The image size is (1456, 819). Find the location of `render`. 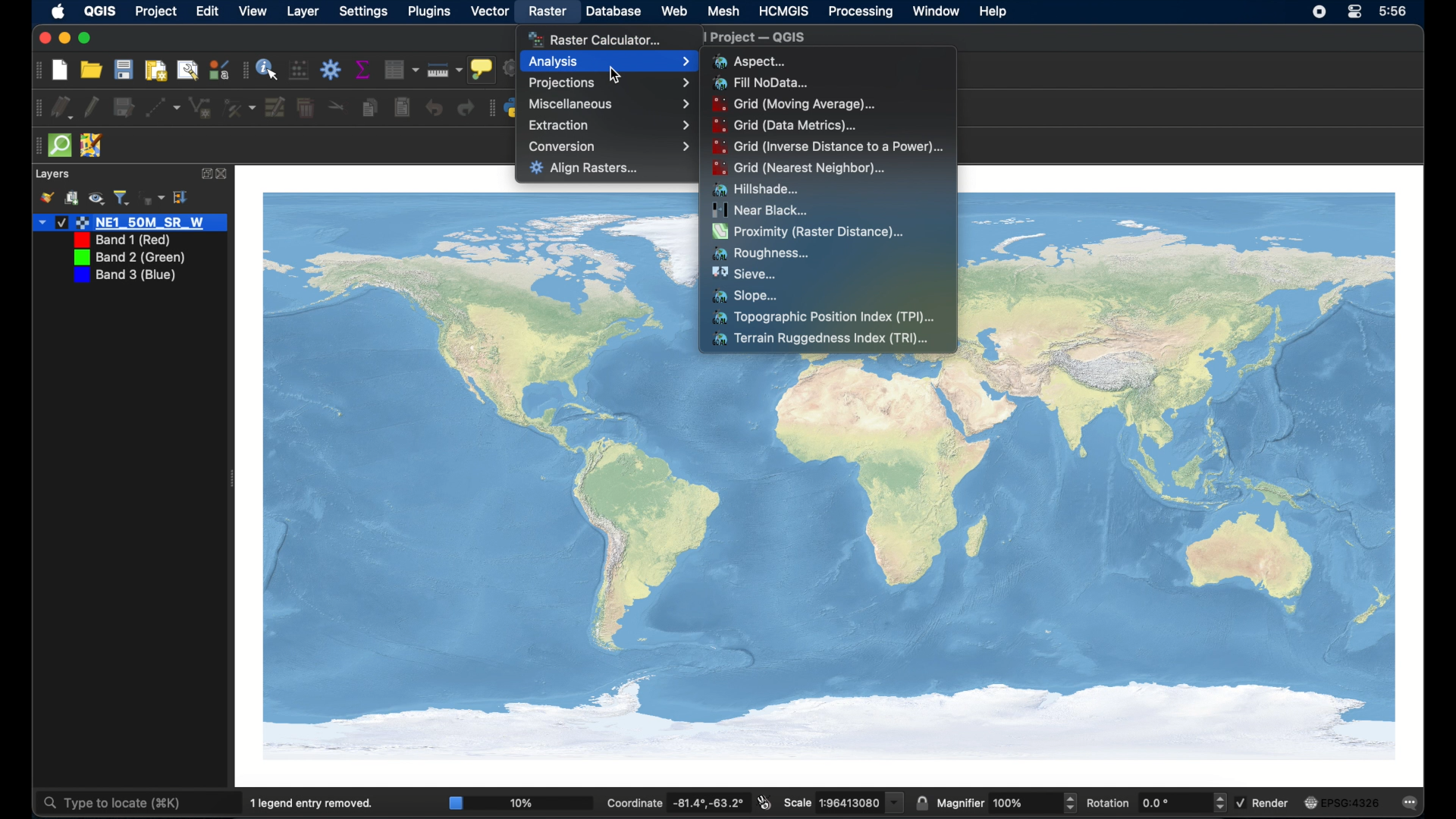

render is located at coordinates (1262, 802).